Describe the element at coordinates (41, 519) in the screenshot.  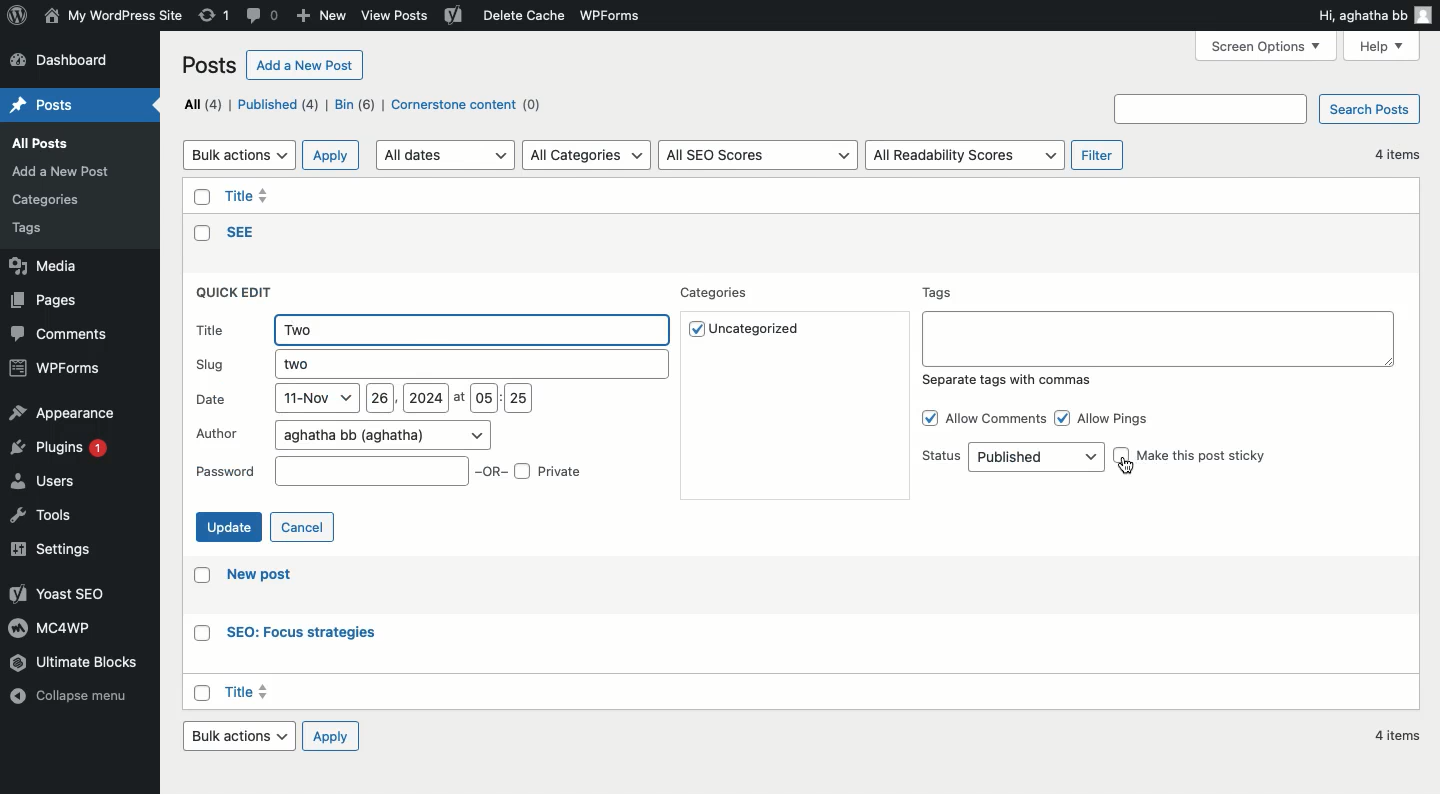
I see `Tools` at that location.